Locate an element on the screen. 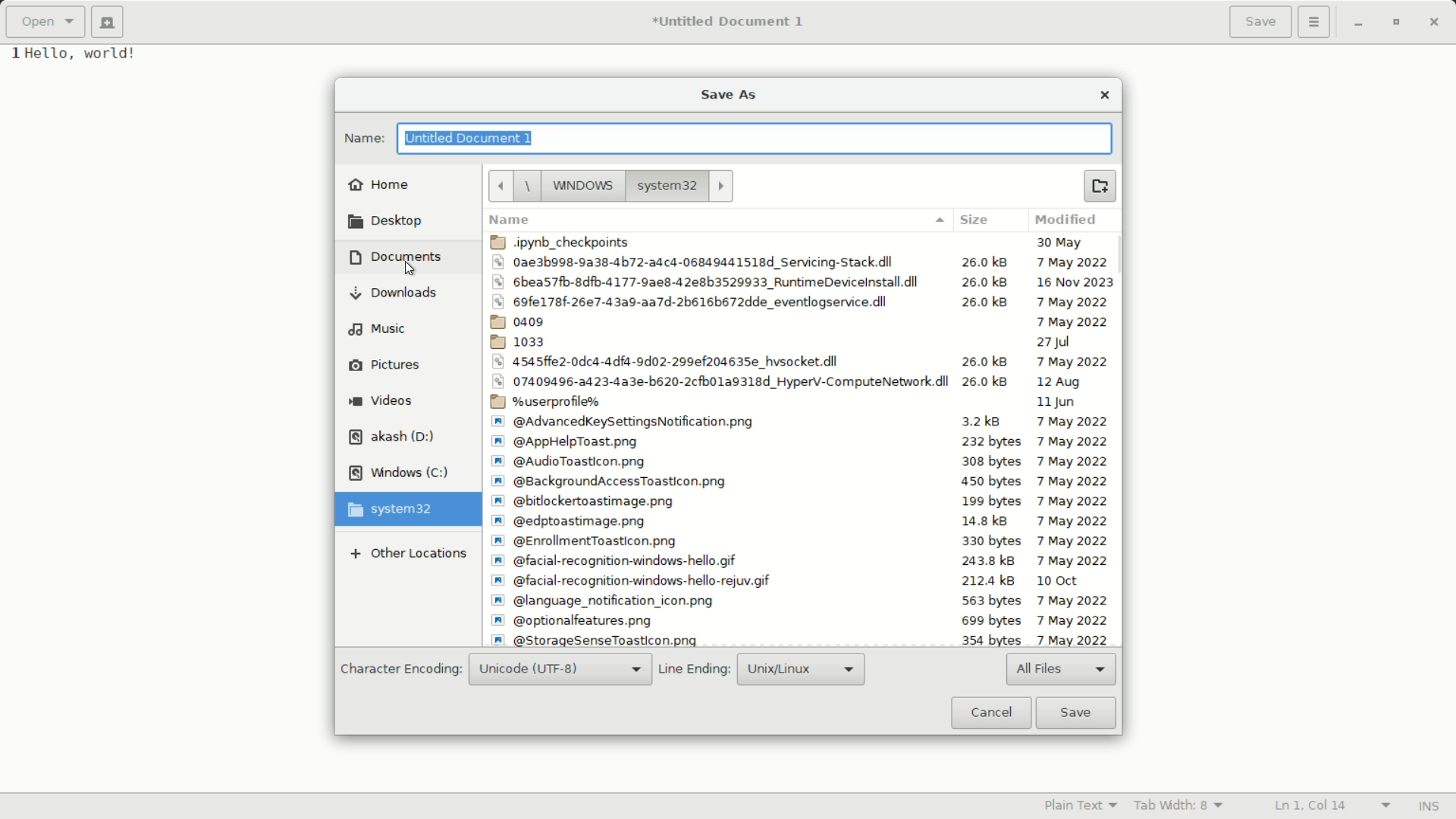  File is located at coordinates (801, 361).